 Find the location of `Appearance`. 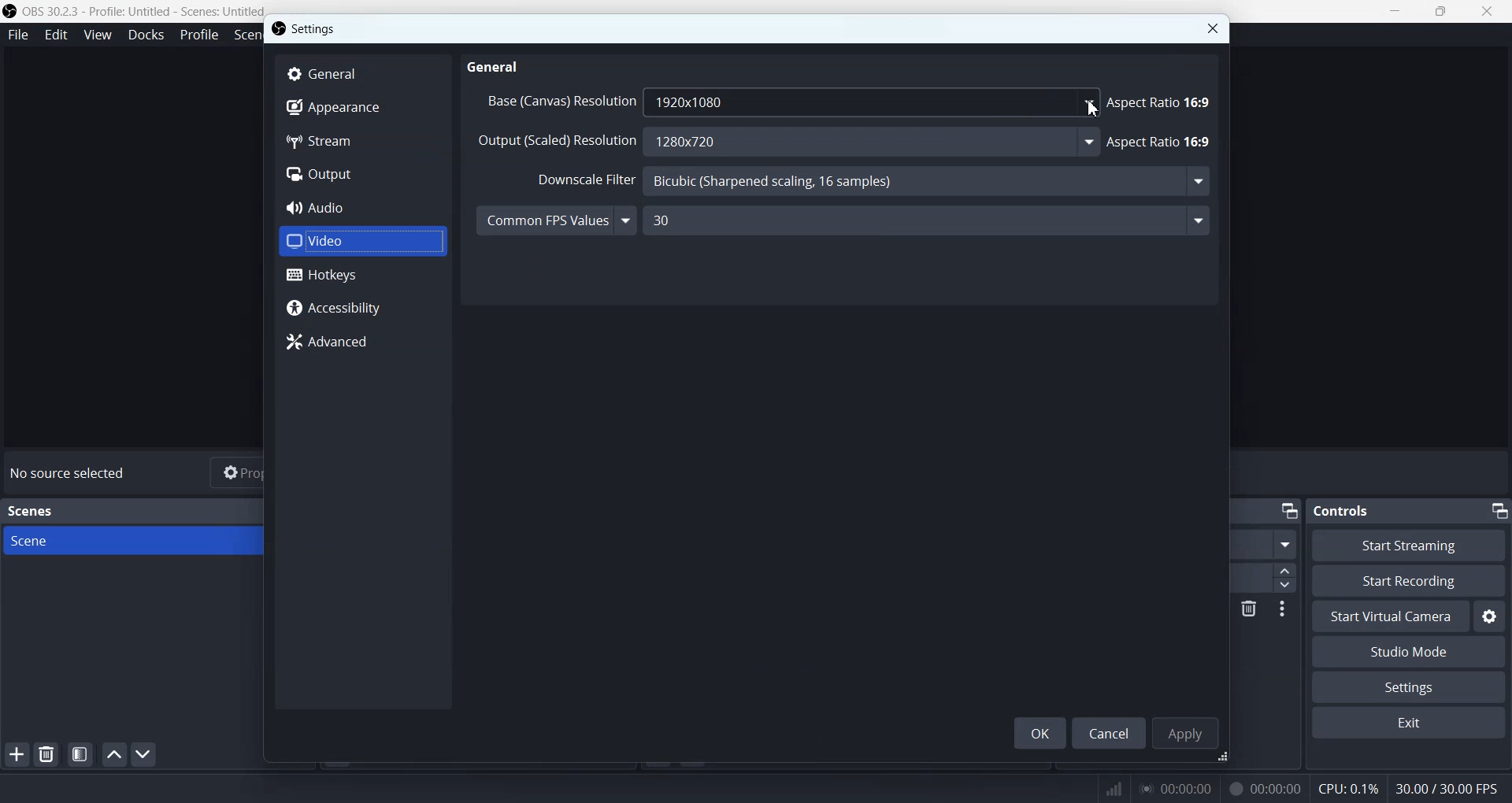

Appearance is located at coordinates (361, 108).